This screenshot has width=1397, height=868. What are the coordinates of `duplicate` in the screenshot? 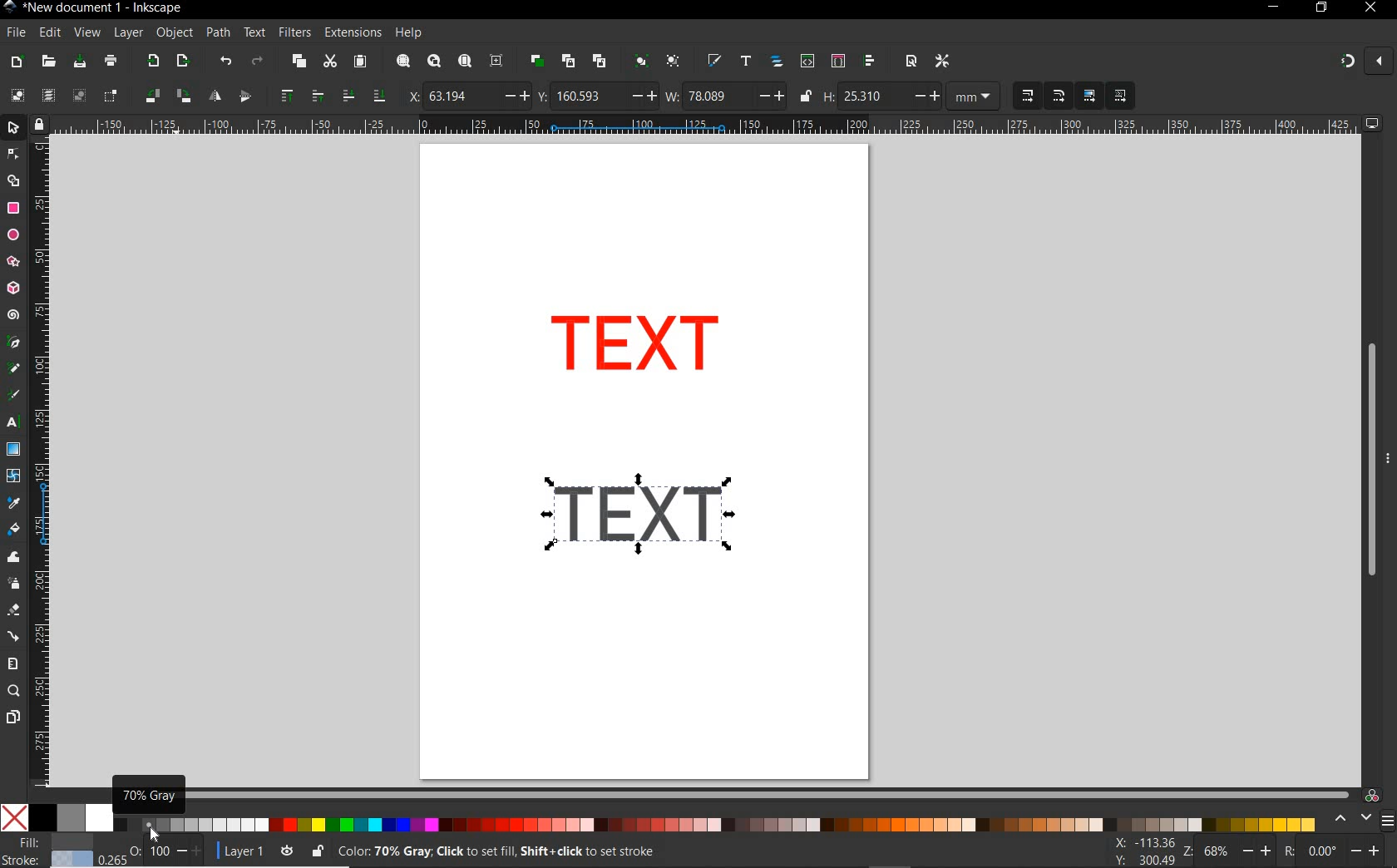 It's located at (537, 61).